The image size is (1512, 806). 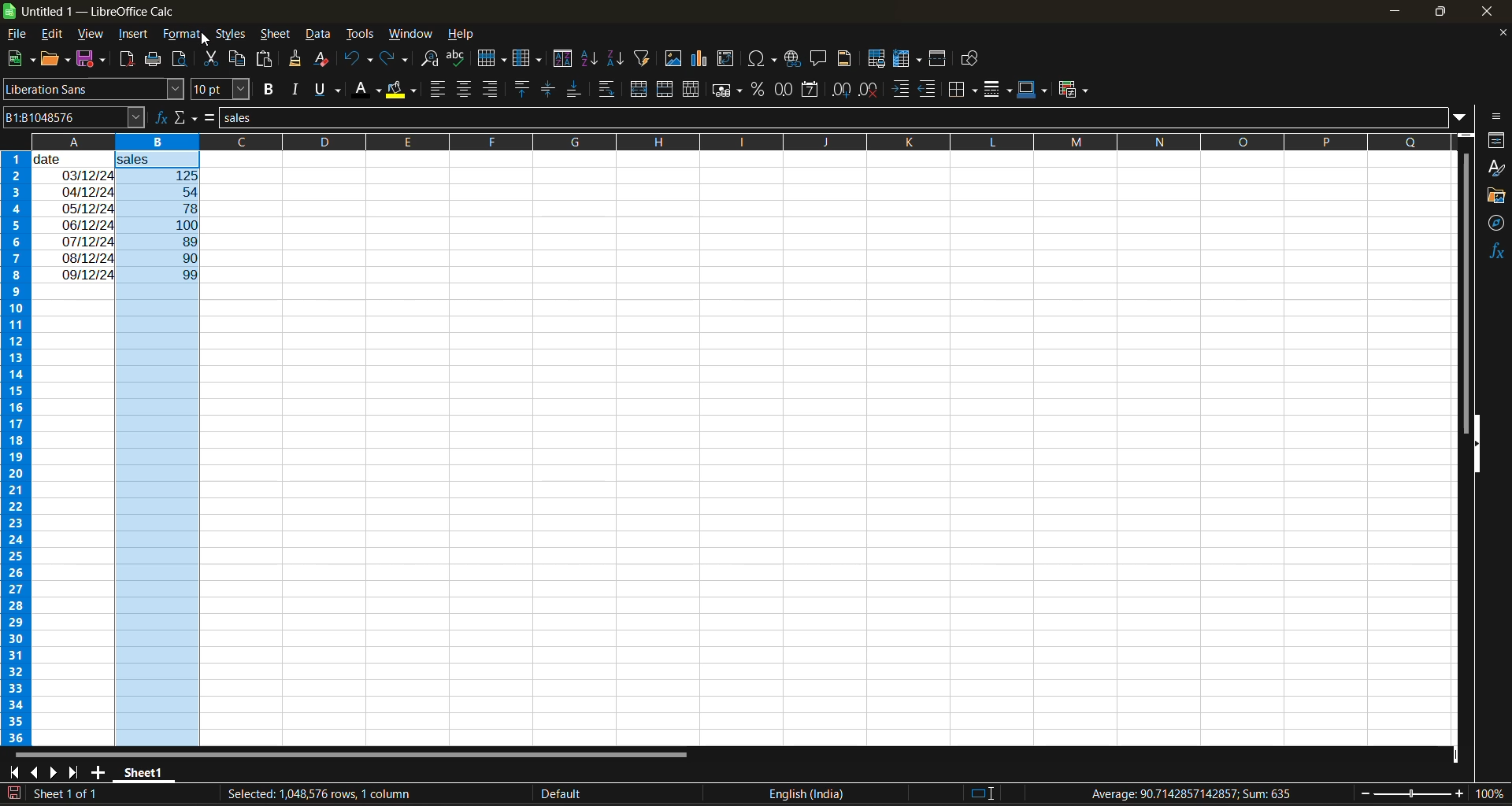 What do you see at coordinates (523, 88) in the screenshot?
I see `align top` at bounding box center [523, 88].